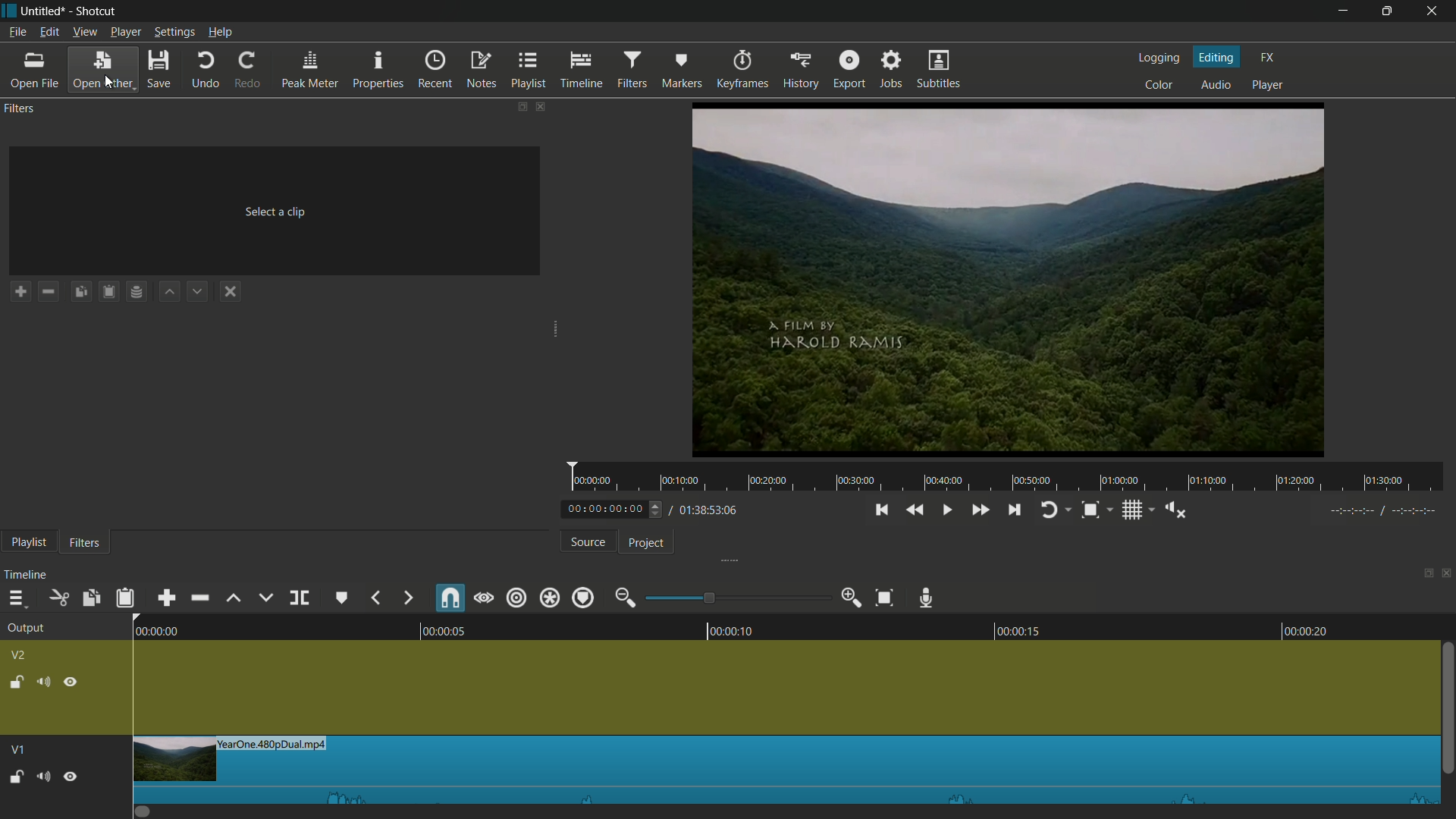  What do you see at coordinates (71, 775) in the screenshot?
I see `Pause` at bounding box center [71, 775].